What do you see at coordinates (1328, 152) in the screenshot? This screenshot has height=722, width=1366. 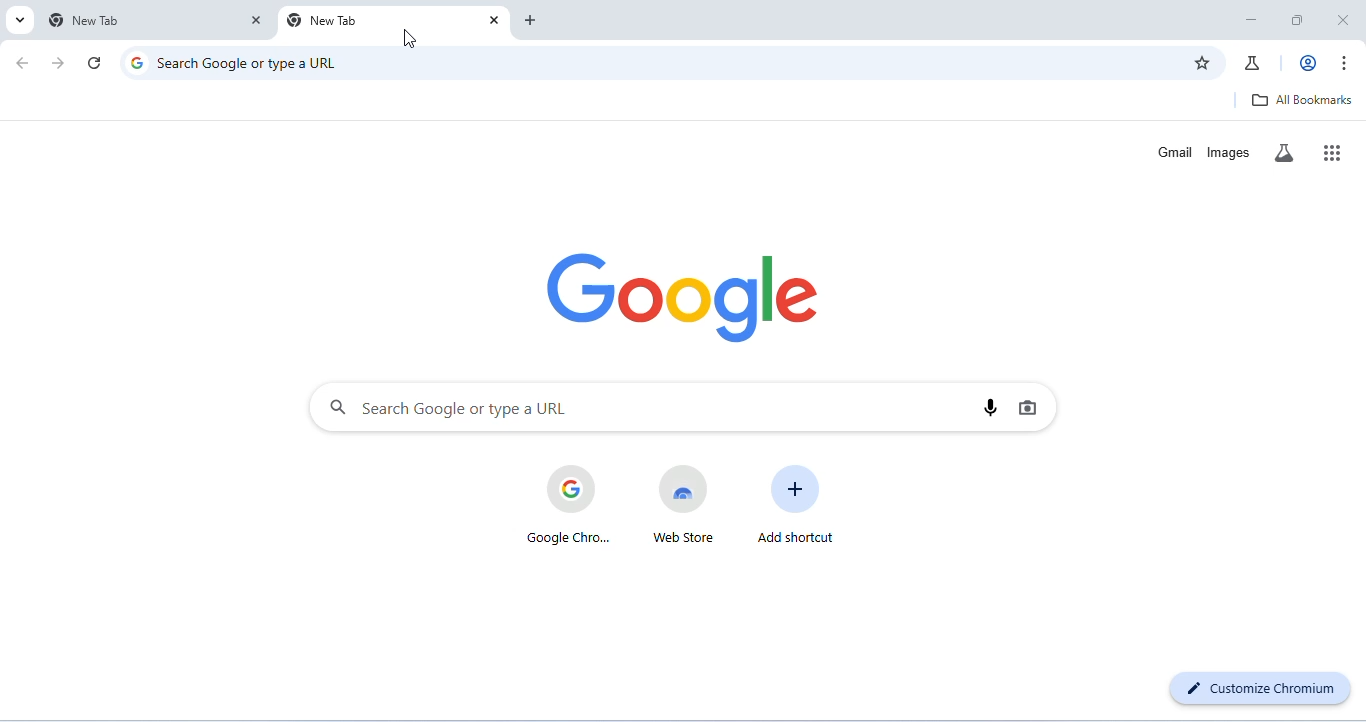 I see `google apps` at bounding box center [1328, 152].